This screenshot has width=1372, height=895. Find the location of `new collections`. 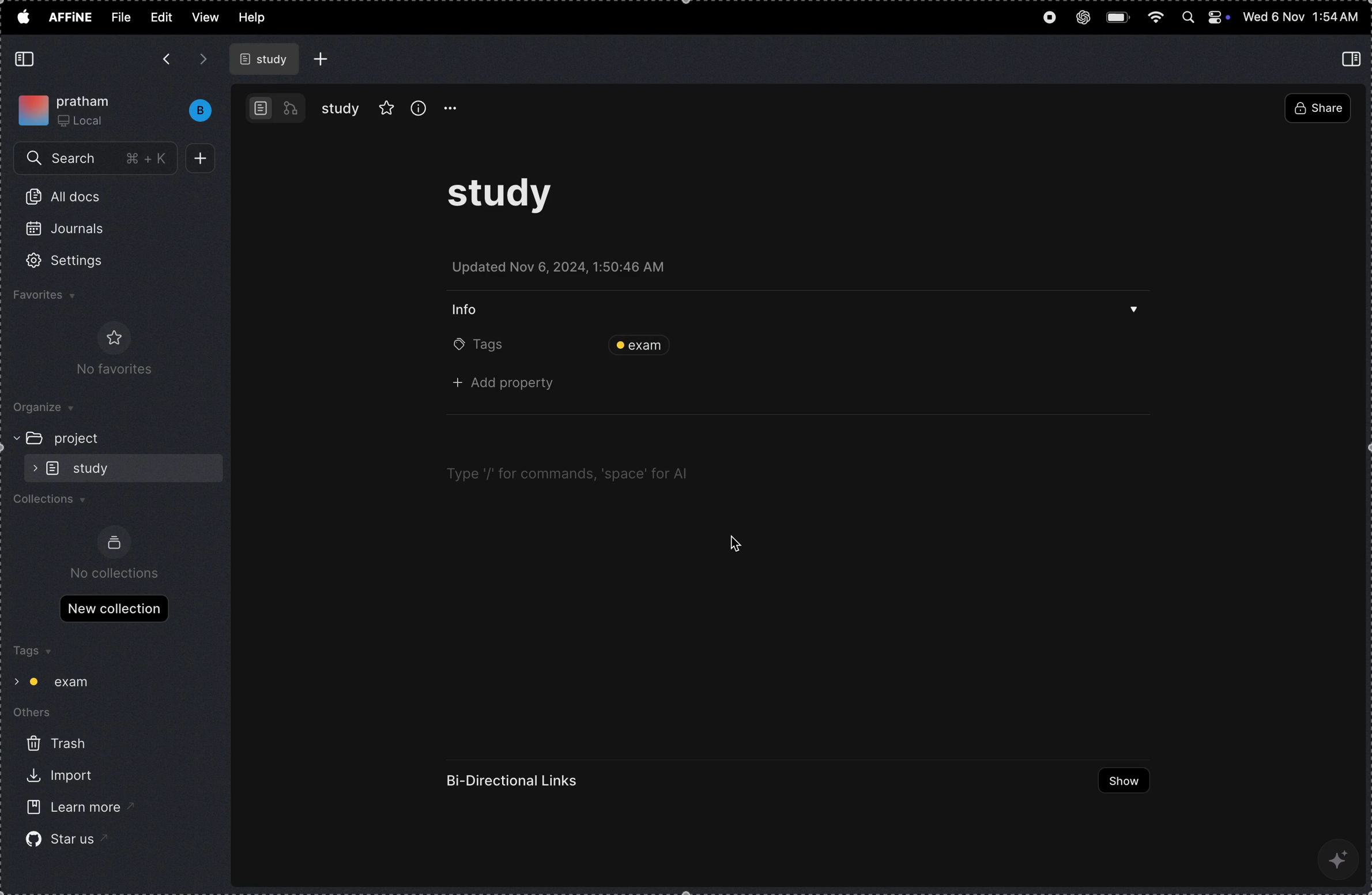

new collections is located at coordinates (114, 607).